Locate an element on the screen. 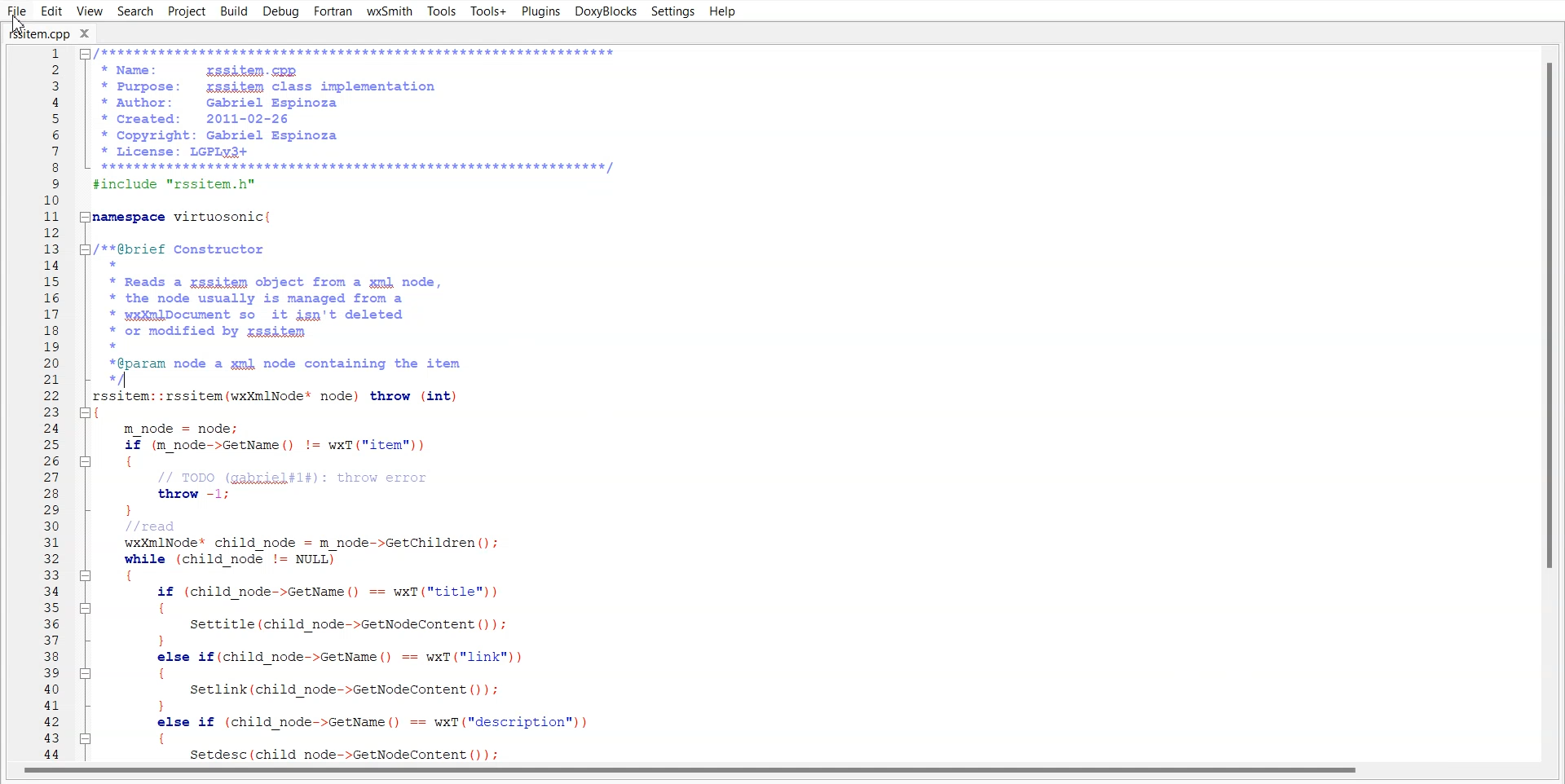 The width and height of the screenshot is (1565, 784). Build is located at coordinates (234, 11).